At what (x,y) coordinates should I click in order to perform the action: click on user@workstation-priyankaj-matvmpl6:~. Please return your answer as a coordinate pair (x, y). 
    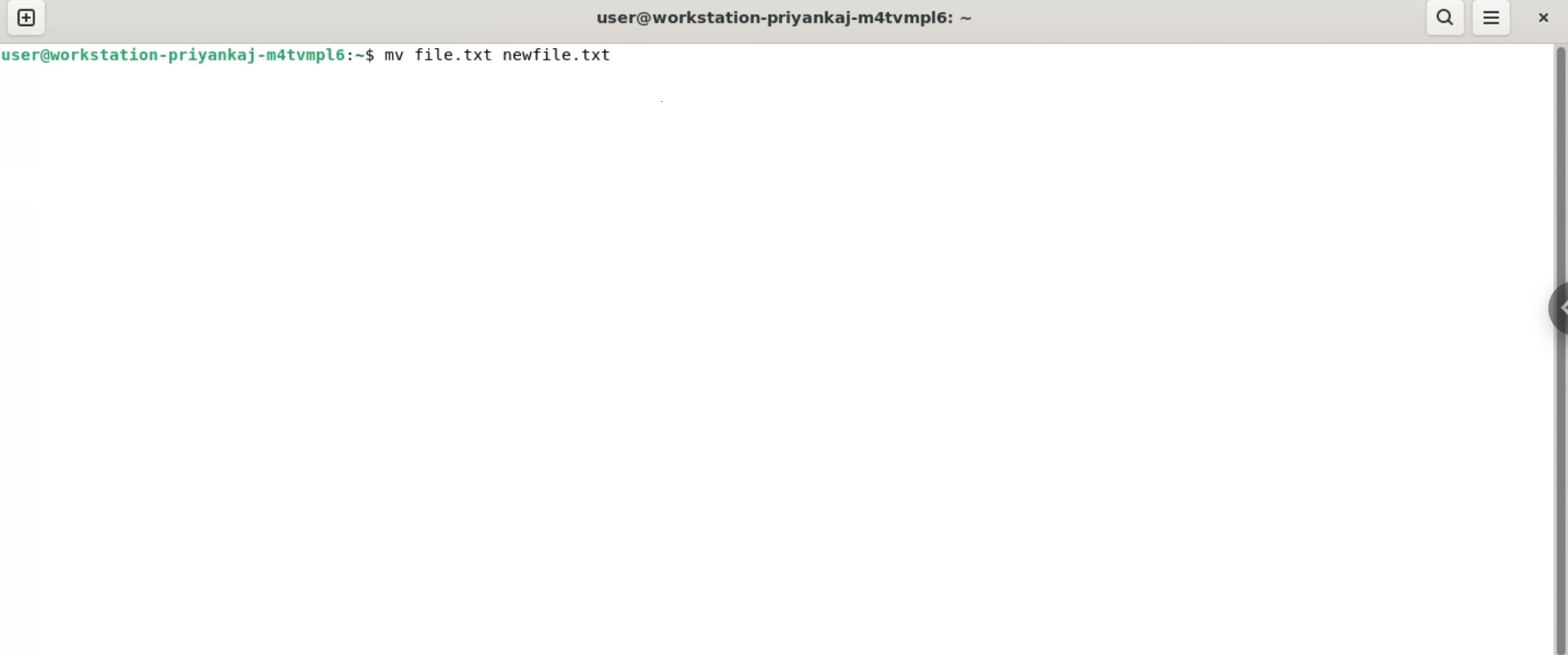
    Looking at the image, I should click on (782, 16).